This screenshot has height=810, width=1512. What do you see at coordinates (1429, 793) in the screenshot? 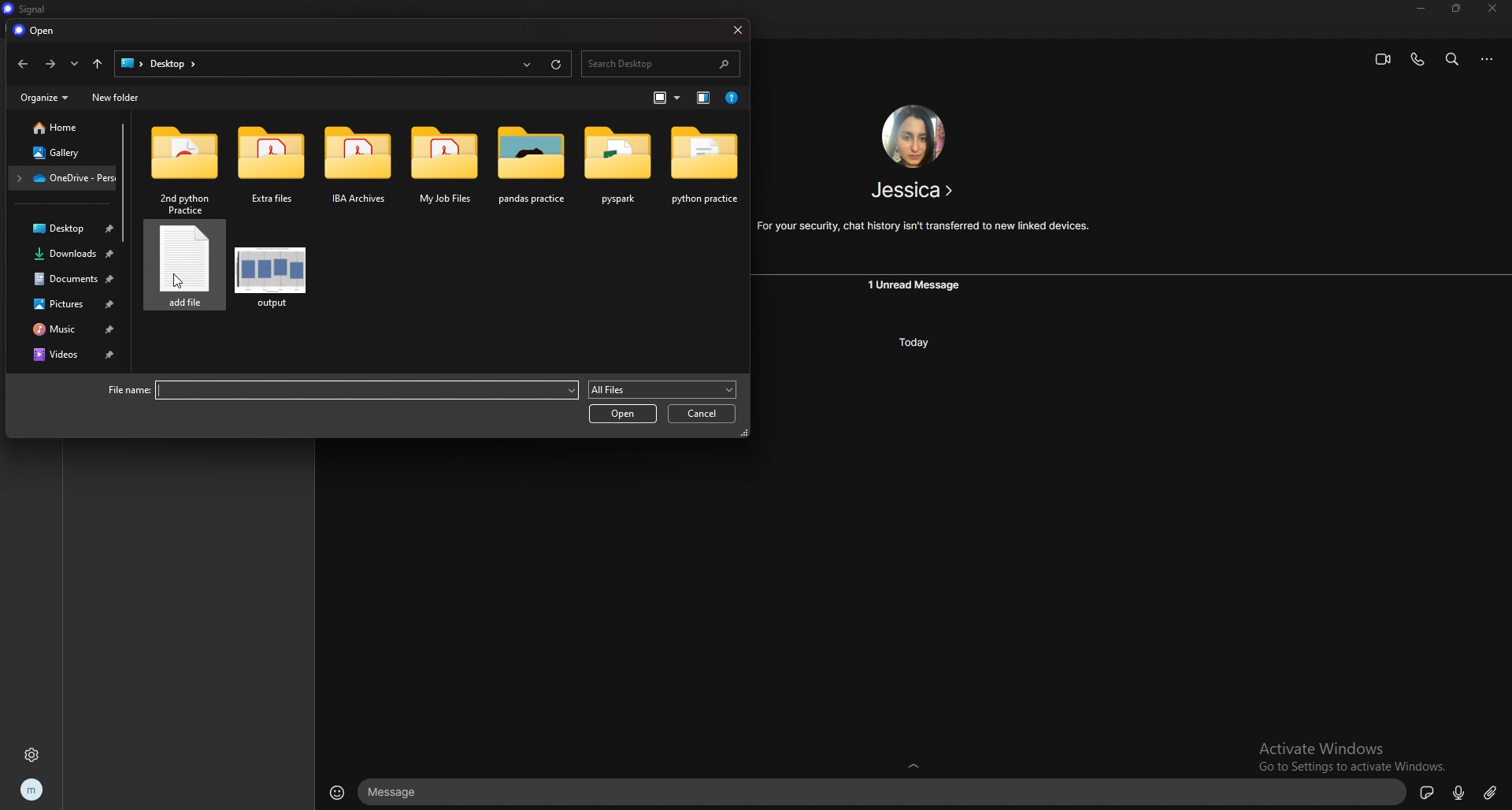
I see `sticker` at bounding box center [1429, 793].